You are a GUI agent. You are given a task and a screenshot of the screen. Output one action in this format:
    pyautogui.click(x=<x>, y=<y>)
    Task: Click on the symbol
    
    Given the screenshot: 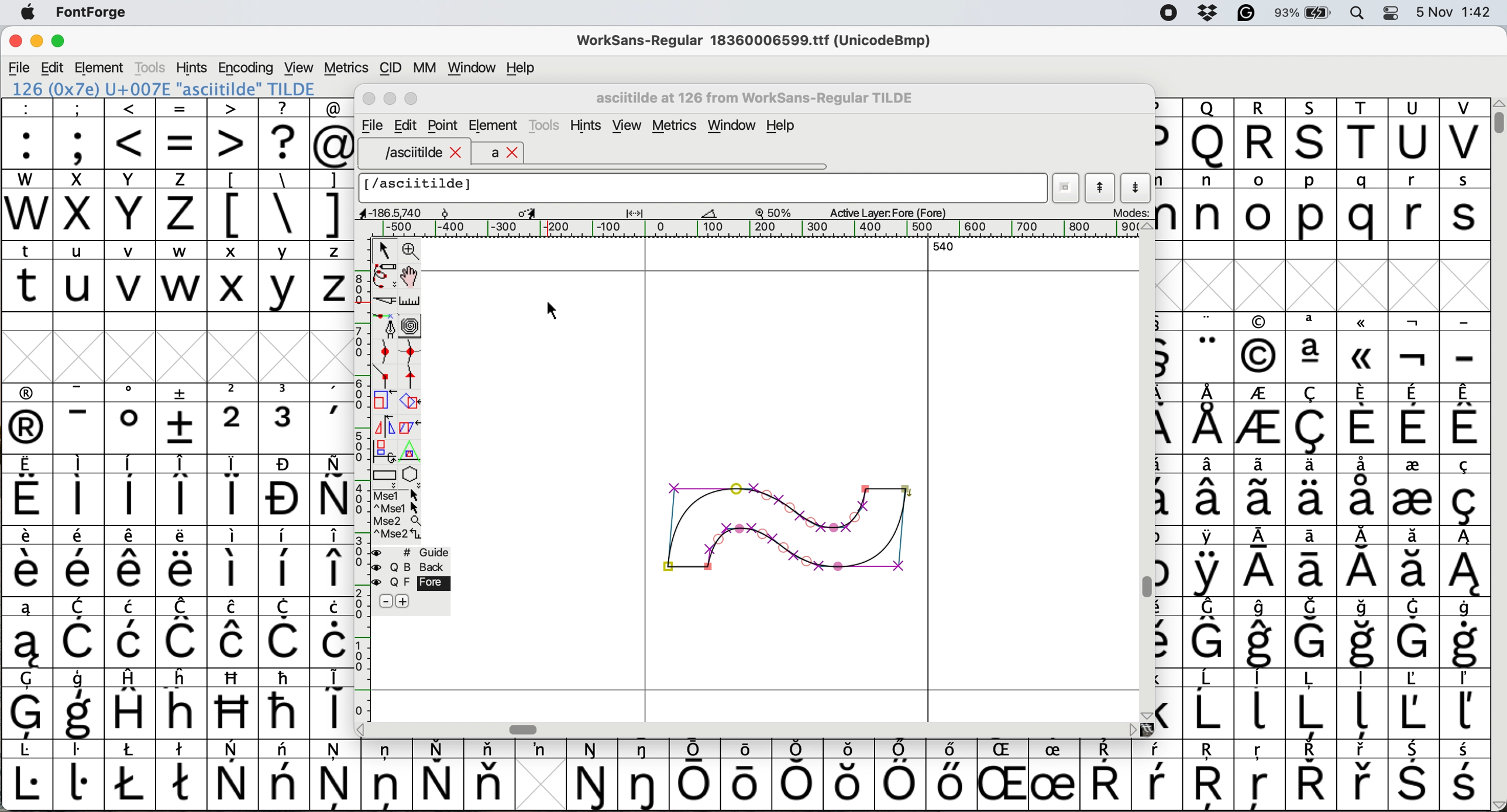 What is the action you would take?
    pyautogui.click(x=332, y=419)
    